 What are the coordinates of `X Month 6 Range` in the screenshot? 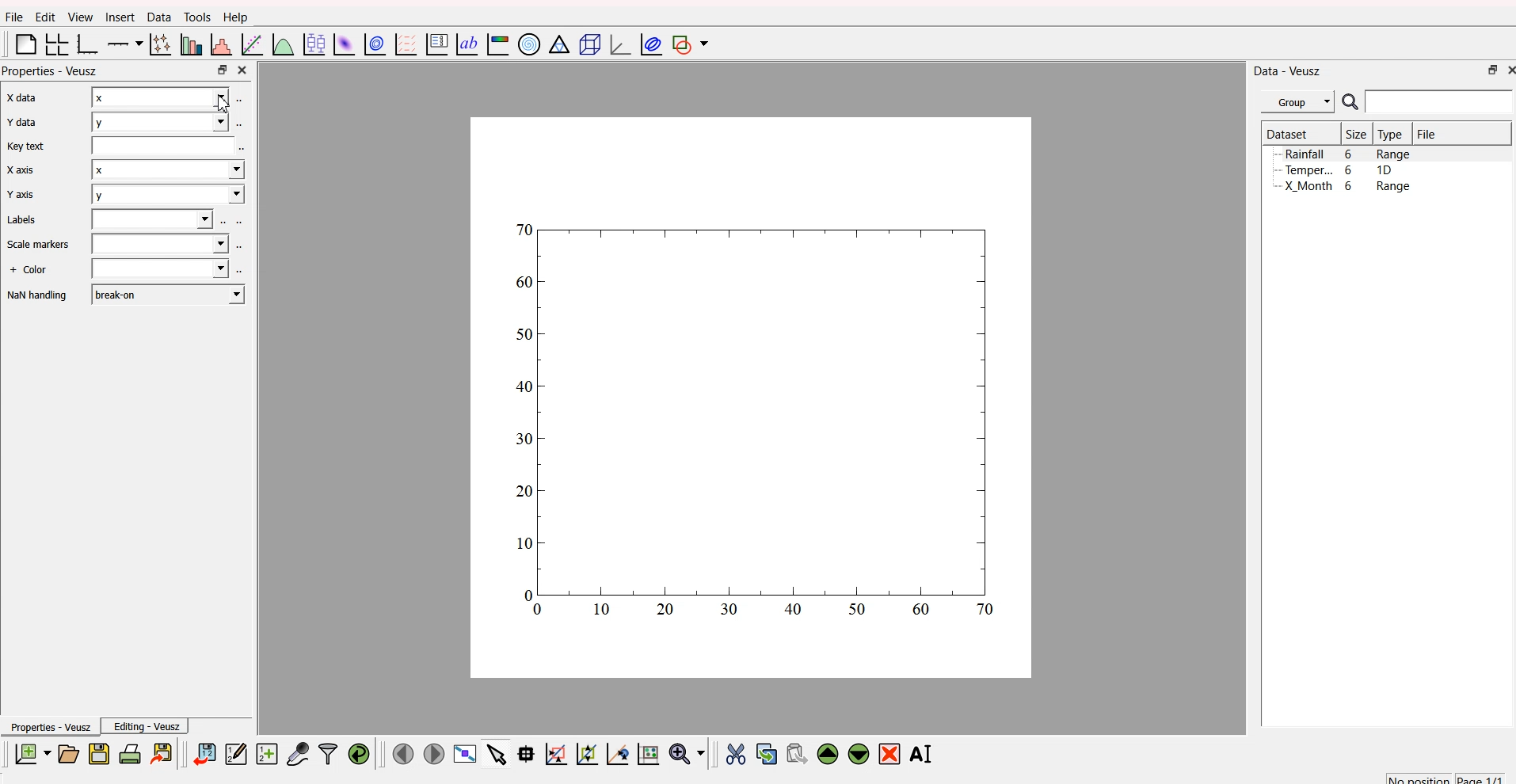 It's located at (1347, 186).